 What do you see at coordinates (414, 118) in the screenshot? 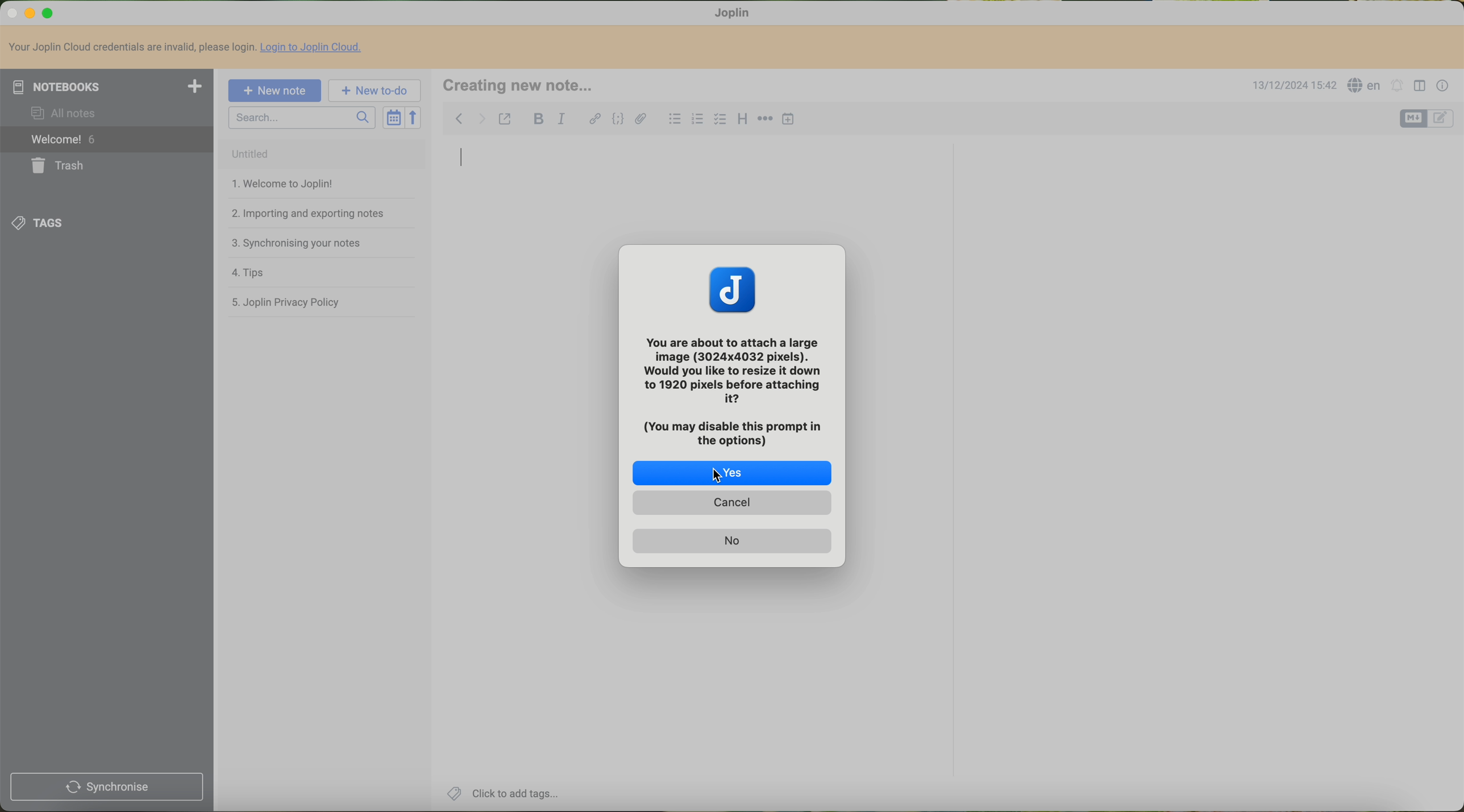
I see `reverse sort order` at bounding box center [414, 118].